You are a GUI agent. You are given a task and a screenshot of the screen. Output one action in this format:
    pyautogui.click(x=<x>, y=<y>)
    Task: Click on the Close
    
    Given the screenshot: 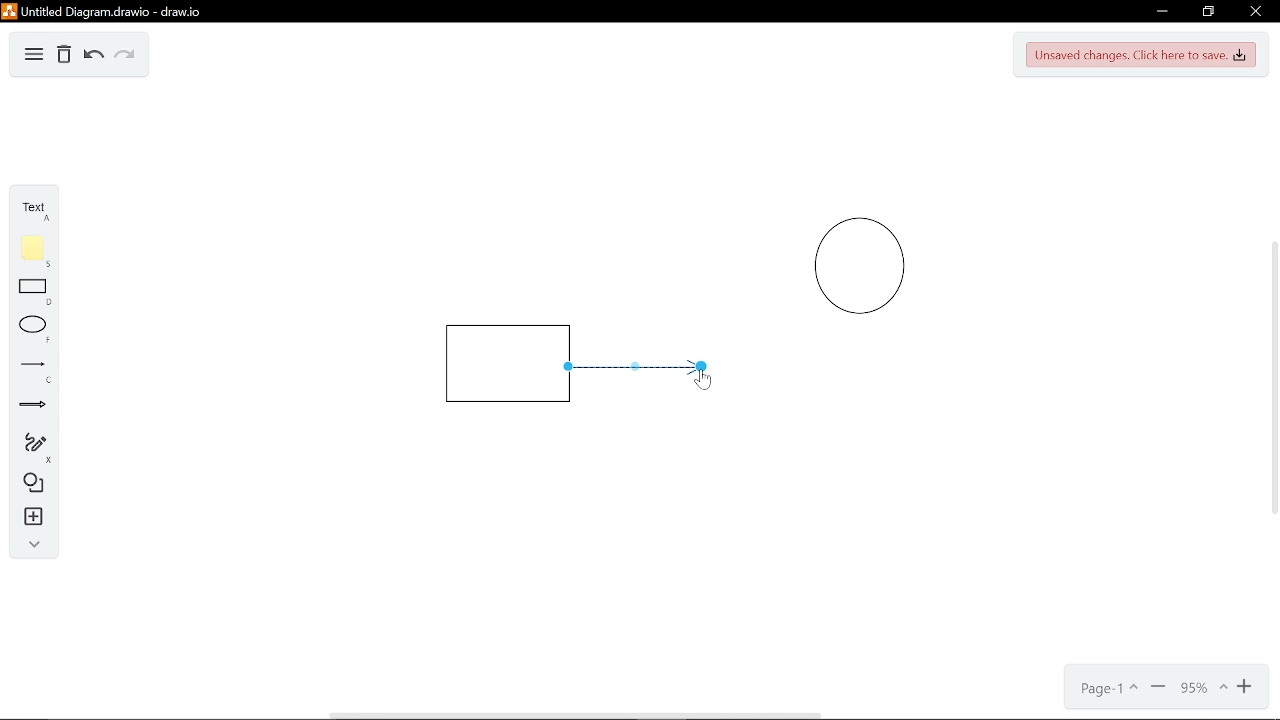 What is the action you would take?
    pyautogui.click(x=1254, y=12)
    